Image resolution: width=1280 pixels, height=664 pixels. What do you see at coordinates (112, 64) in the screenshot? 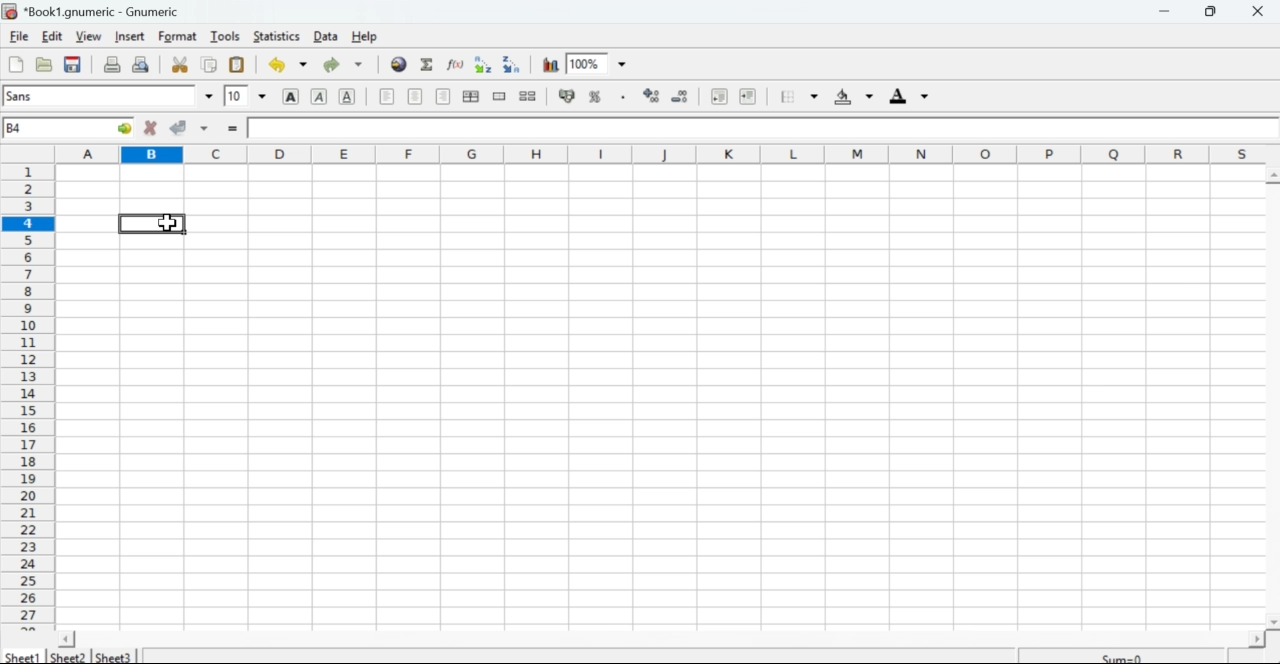
I see `Print file` at bounding box center [112, 64].